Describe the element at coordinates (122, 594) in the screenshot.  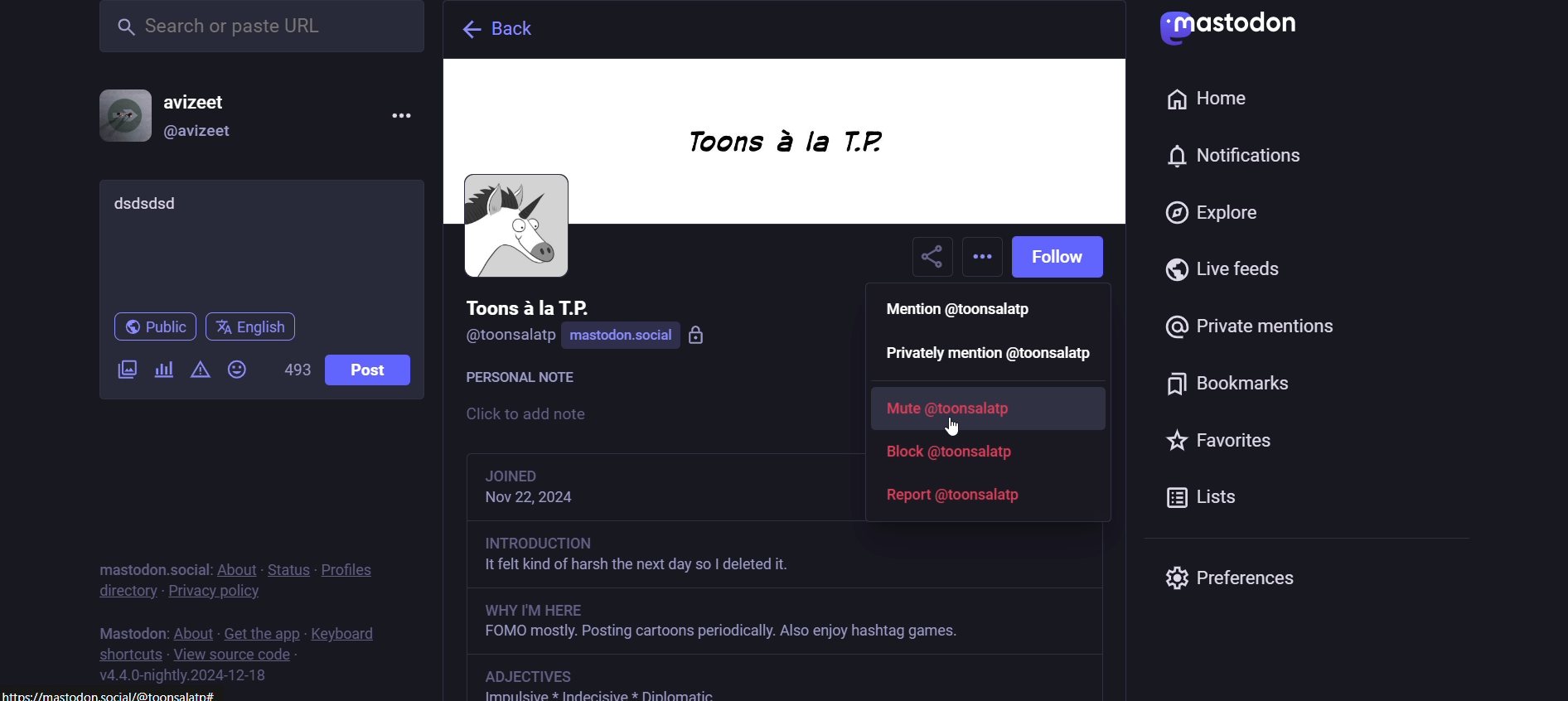
I see `directory` at that location.